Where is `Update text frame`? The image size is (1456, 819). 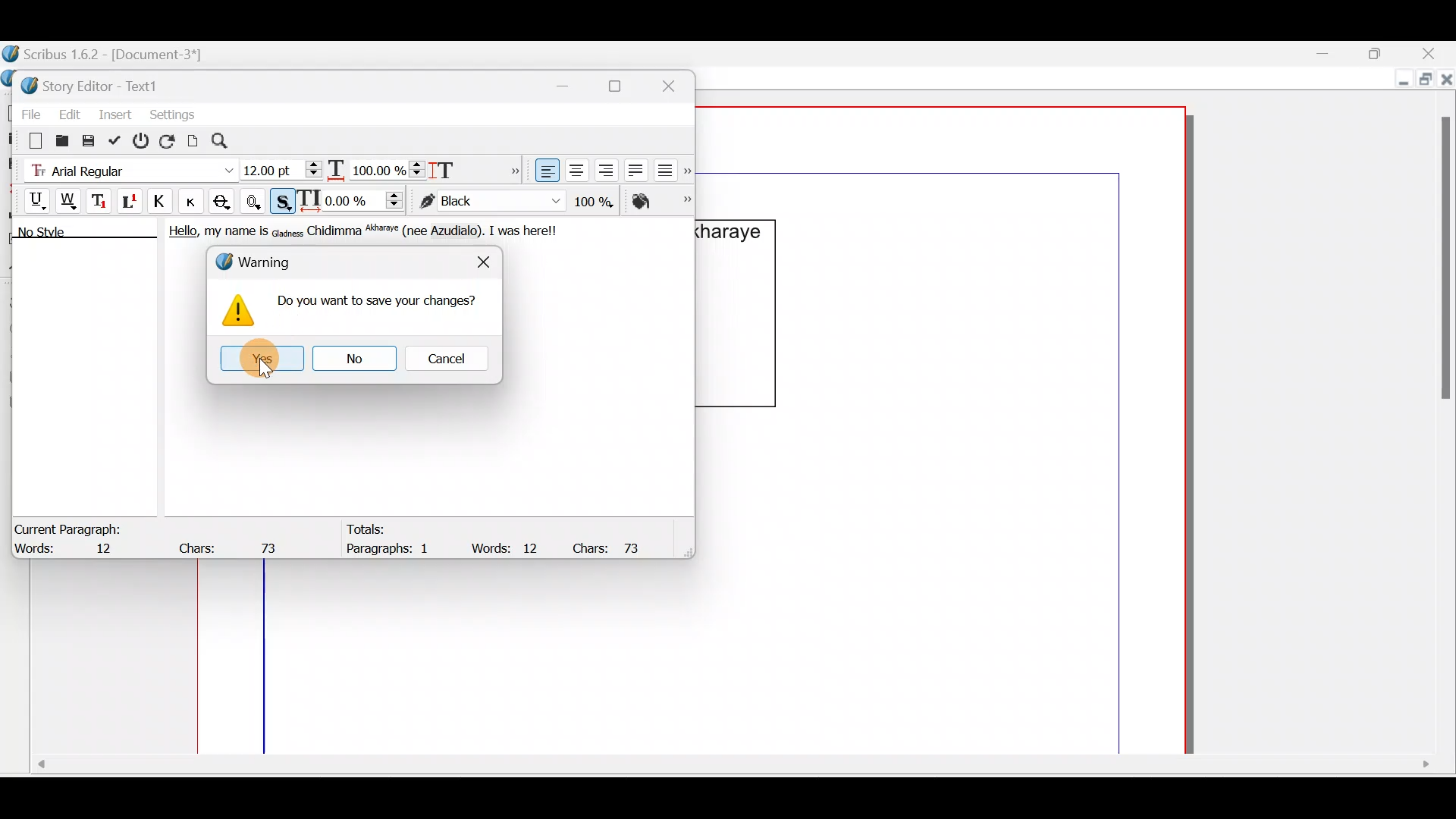
Update text frame is located at coordinates (193, 139).